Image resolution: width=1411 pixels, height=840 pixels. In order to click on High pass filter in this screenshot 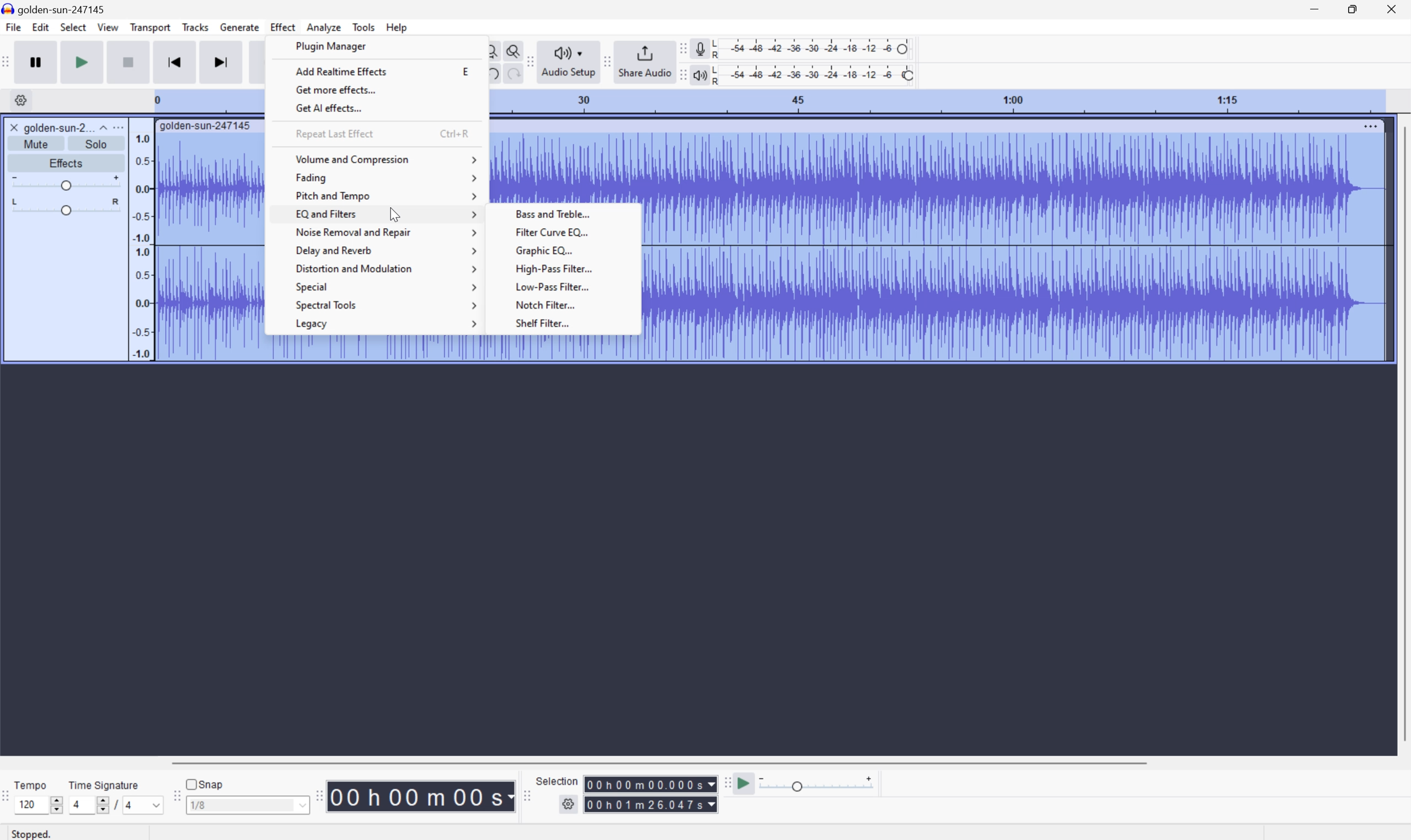, I will do `click(572, 268)`.